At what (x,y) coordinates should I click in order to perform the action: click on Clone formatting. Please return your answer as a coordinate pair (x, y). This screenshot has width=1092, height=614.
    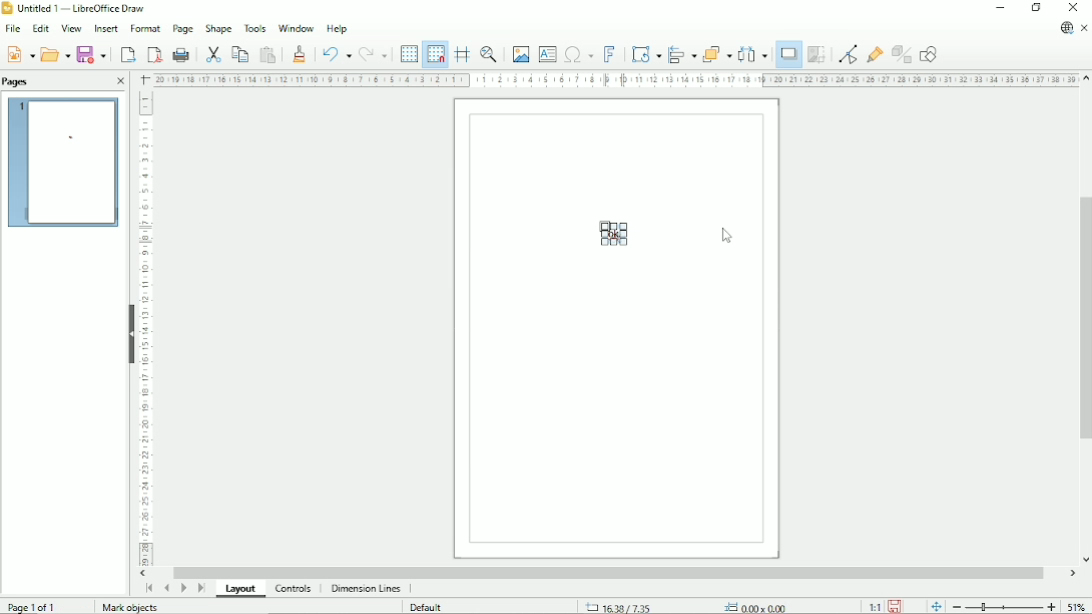
    Looking at the image, I should click on (299, 53).